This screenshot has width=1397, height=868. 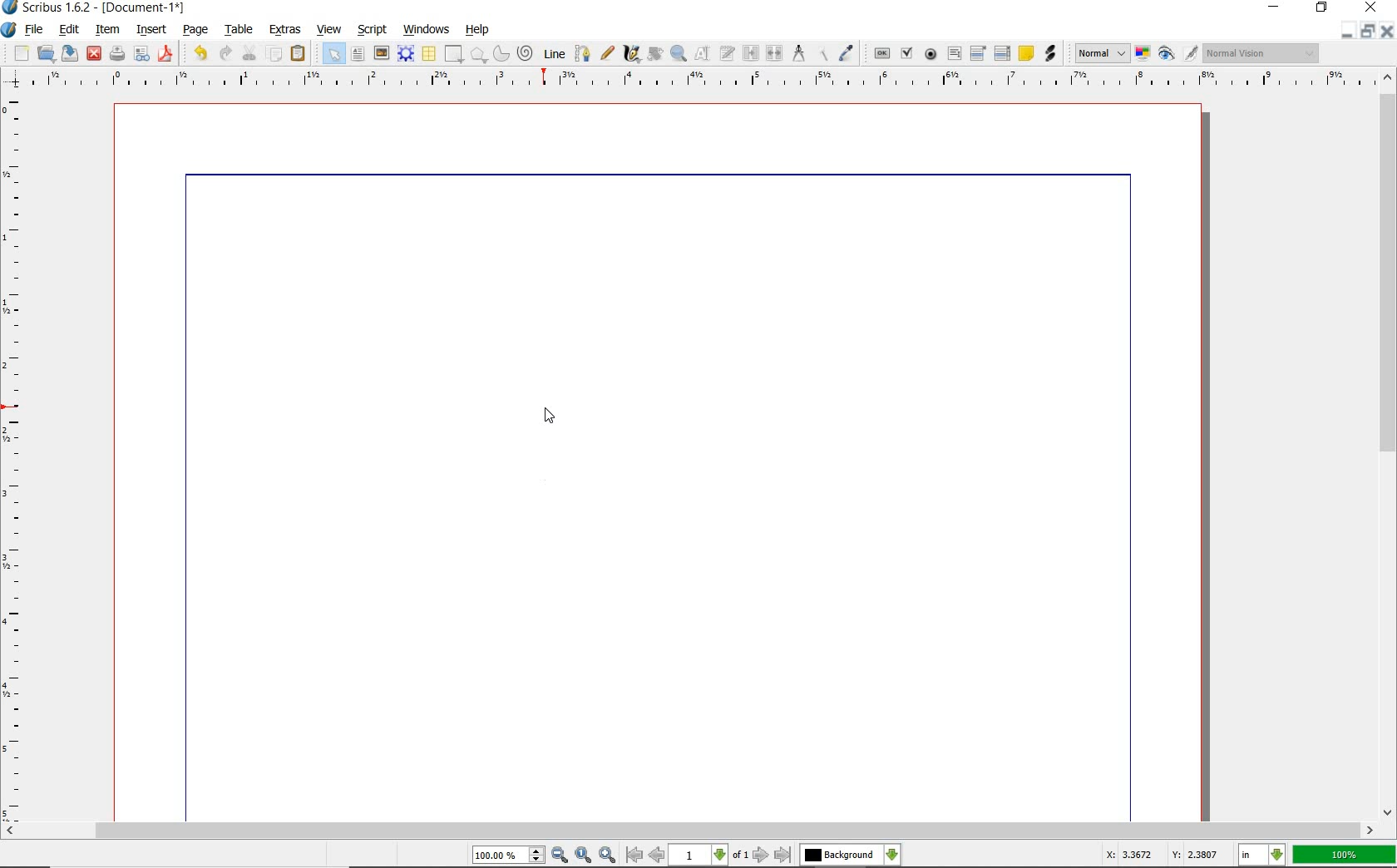 I want to click on save as pdf, so click(x=166, y=53).